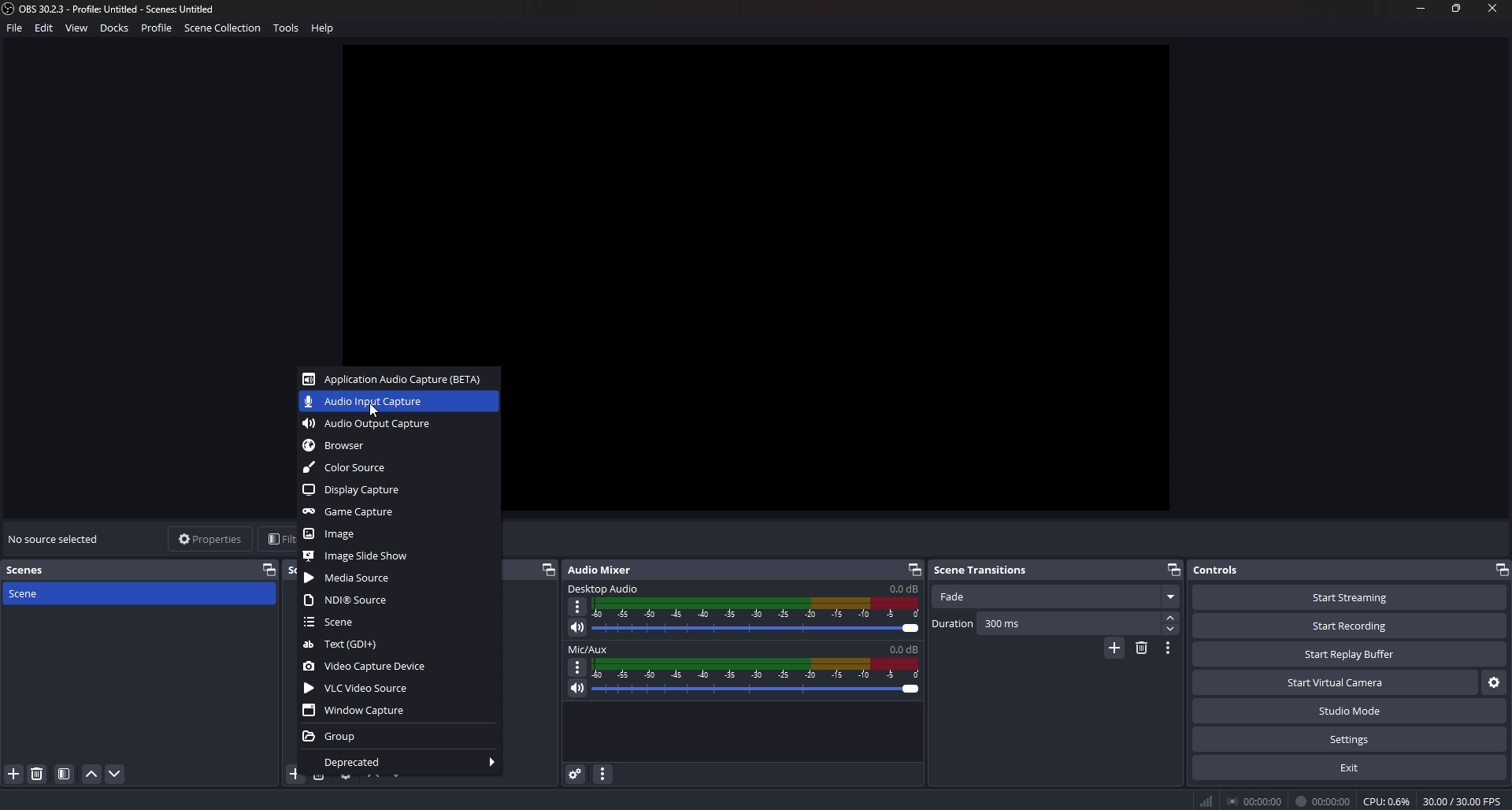 The image size is (1512, 810). I want to click on mute, so click(577, 688).